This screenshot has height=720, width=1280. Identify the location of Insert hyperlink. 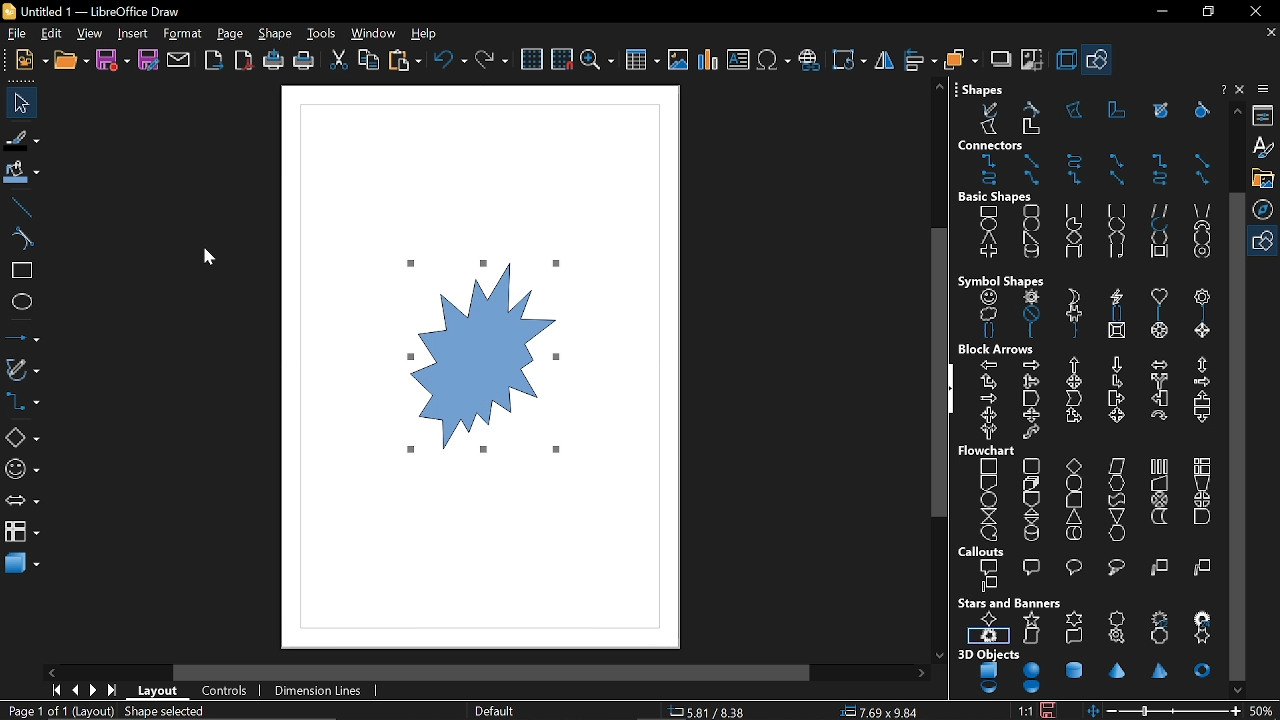
(810, 61).